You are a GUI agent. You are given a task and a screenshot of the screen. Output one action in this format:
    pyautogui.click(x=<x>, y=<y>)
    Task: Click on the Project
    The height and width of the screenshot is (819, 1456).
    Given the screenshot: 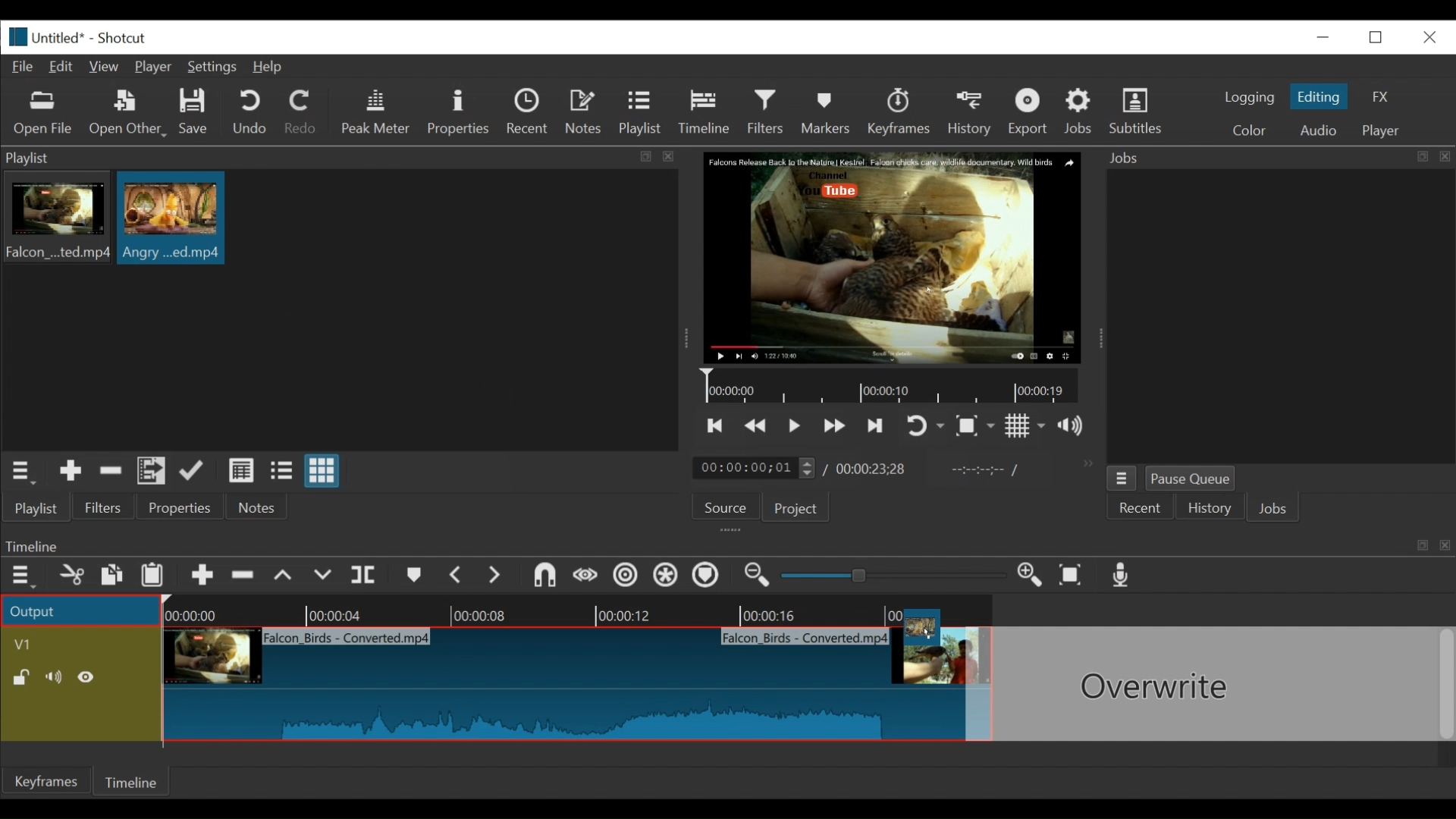 What is the action you would take?
    pyautogui.click(x=793, y=510)
    